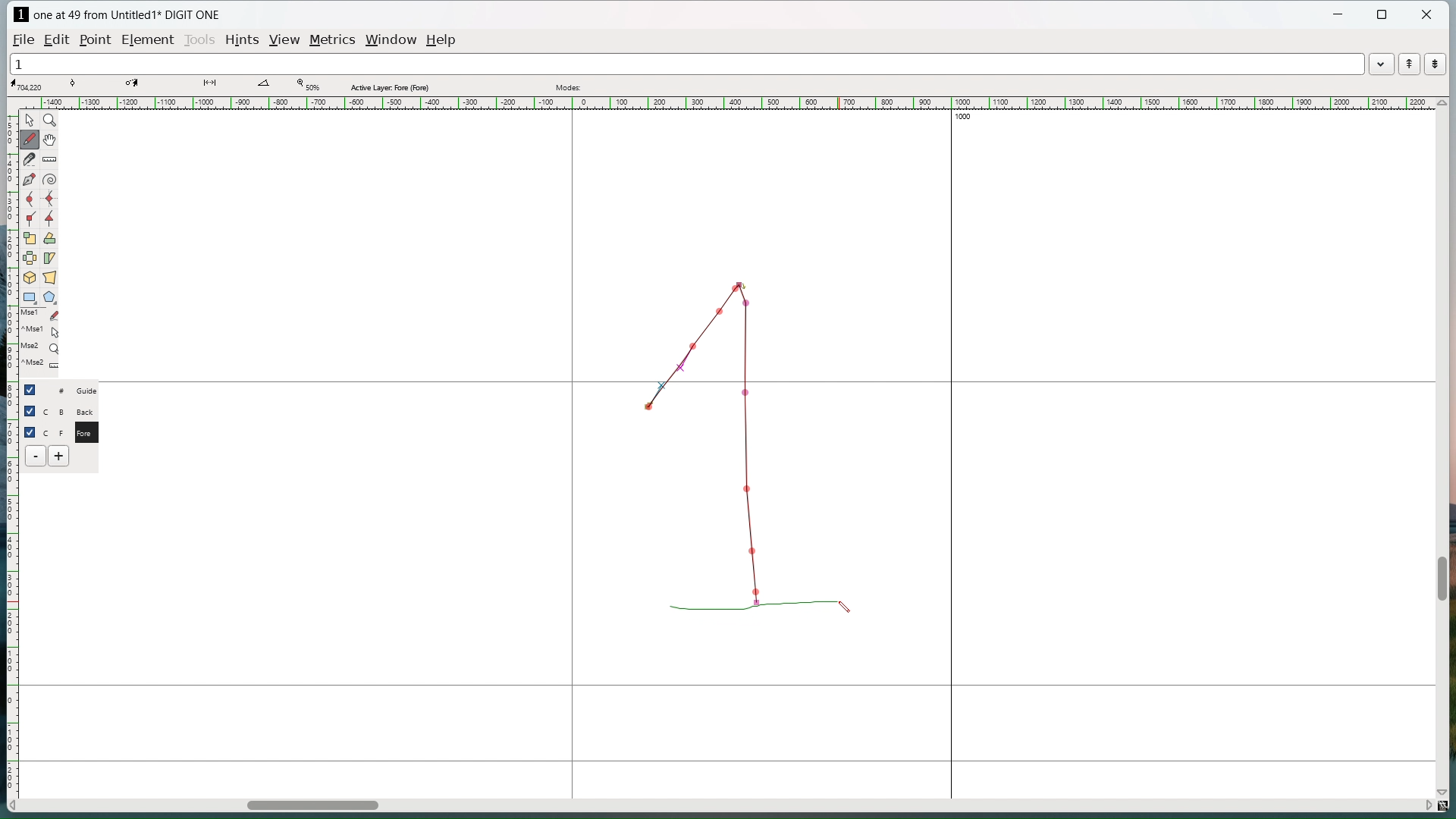  What do you see at coordinates (72, 390) in the screenshot?
I see `# Guide` at bounding box center [72, 390].